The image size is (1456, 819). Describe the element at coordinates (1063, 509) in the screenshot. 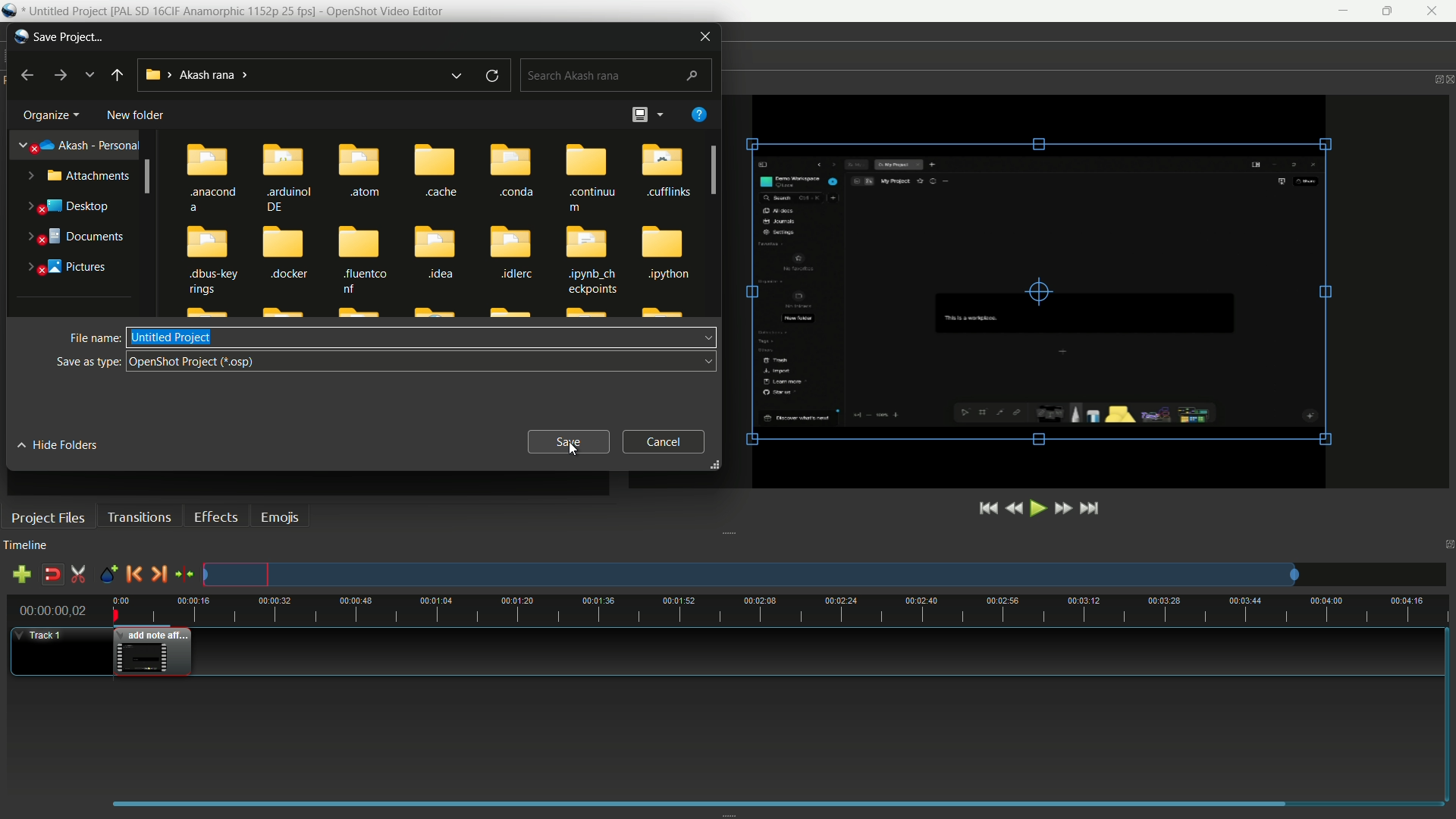

I see `fast forward` at that location.